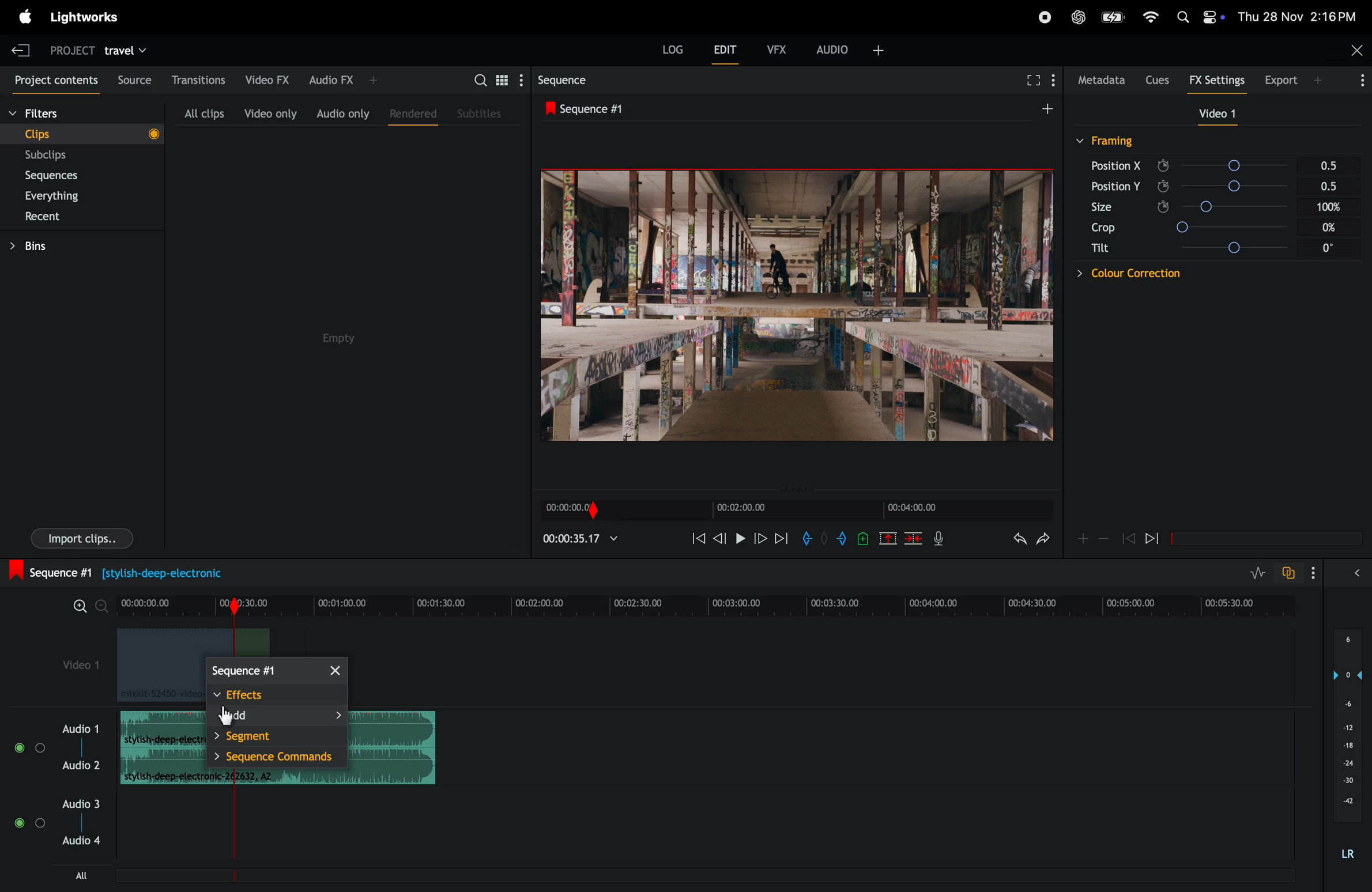 Image resolution: width=1372 pixels, height=892 pixels. Describe the element at coordinates (581, 538) in the screenshot. I see `play time` at that location.